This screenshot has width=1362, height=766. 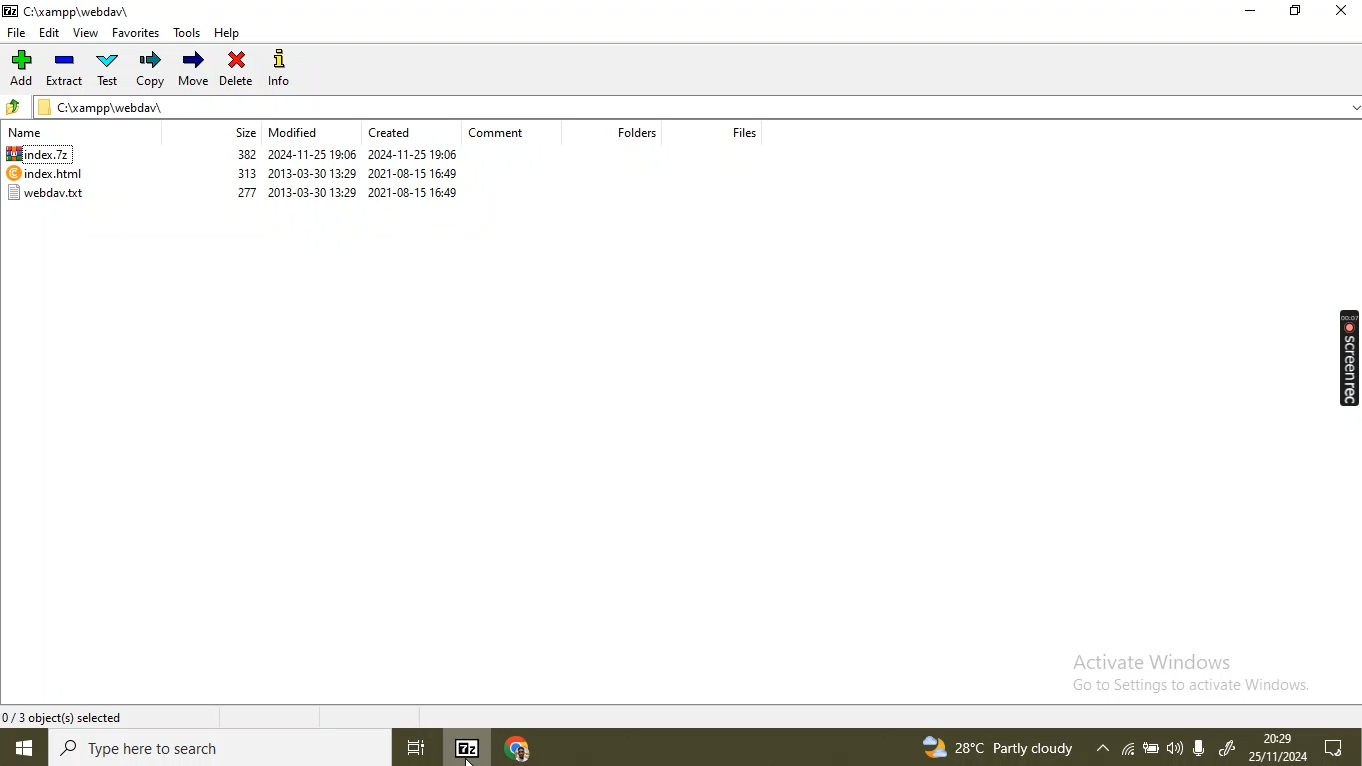 I want to click on file, so click(x=14, y=33).